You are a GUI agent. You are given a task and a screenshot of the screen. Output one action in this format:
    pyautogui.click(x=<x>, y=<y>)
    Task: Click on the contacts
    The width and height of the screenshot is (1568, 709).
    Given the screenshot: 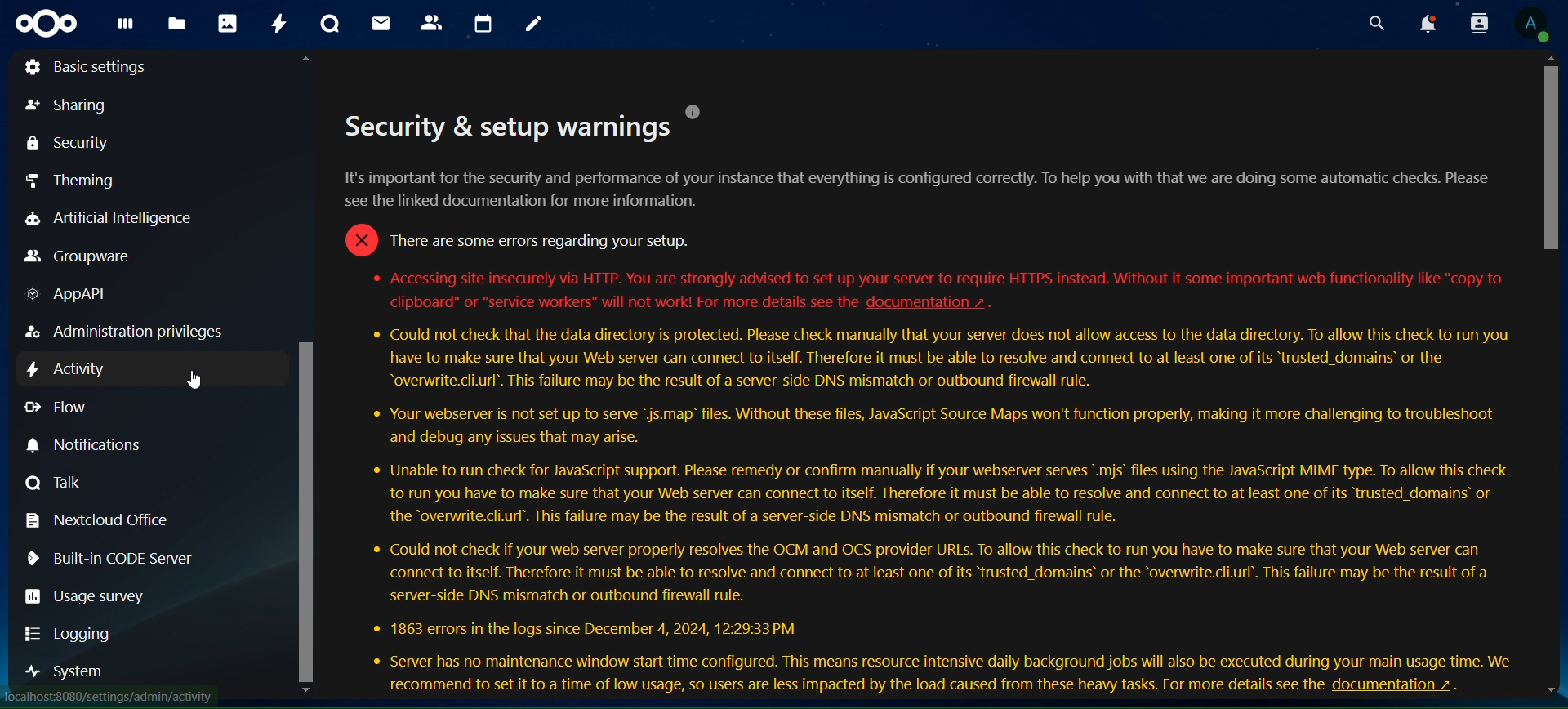 What is the action you would take?
    pyautogui.click(x=432, y=23)
    